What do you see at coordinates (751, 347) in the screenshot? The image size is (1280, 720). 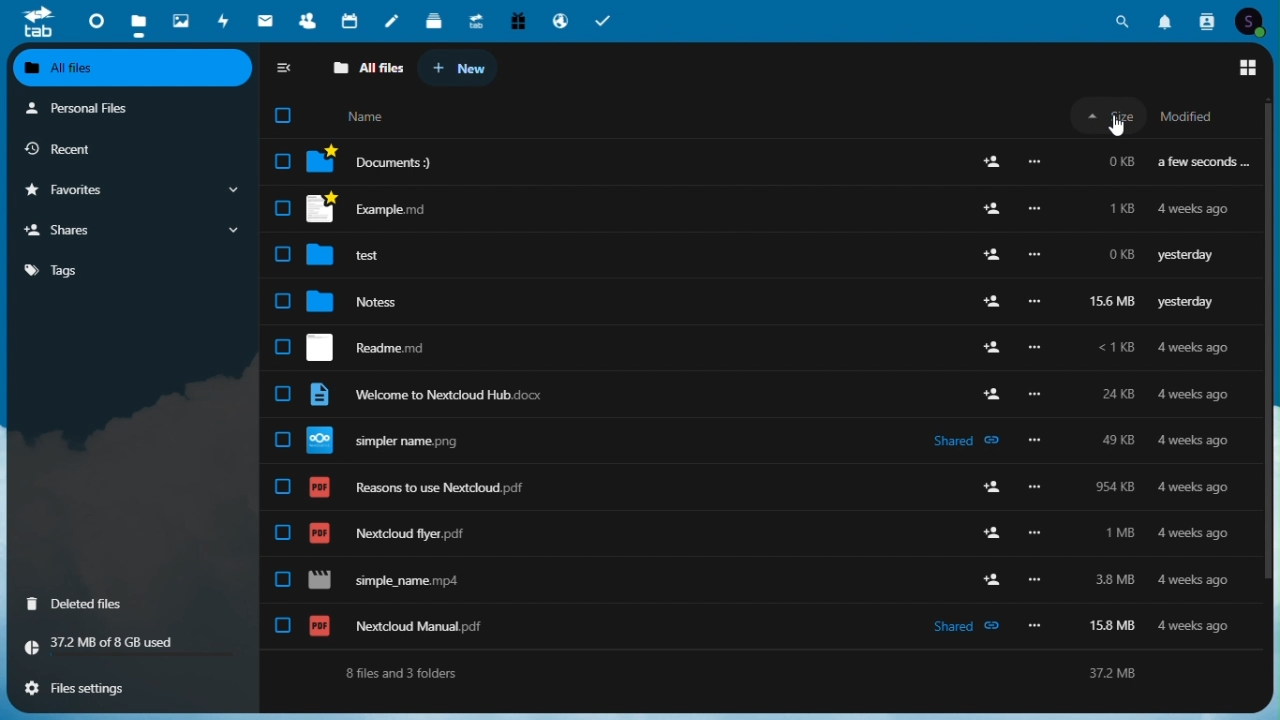 I see `Nextcloud flyer 1` at bounding box center [751, 347].